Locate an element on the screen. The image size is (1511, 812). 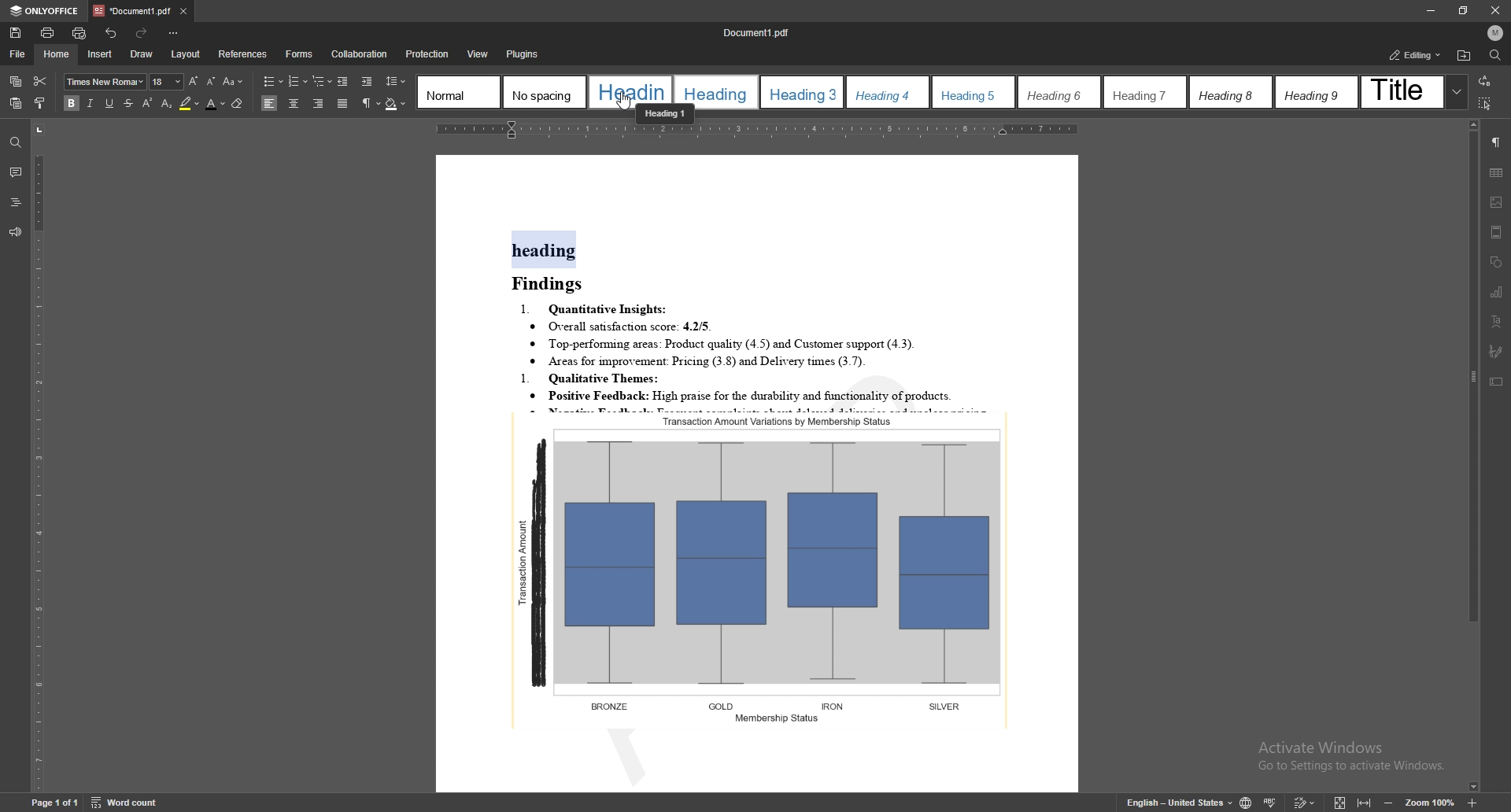
heading styles is located at coordinates (931, 91).